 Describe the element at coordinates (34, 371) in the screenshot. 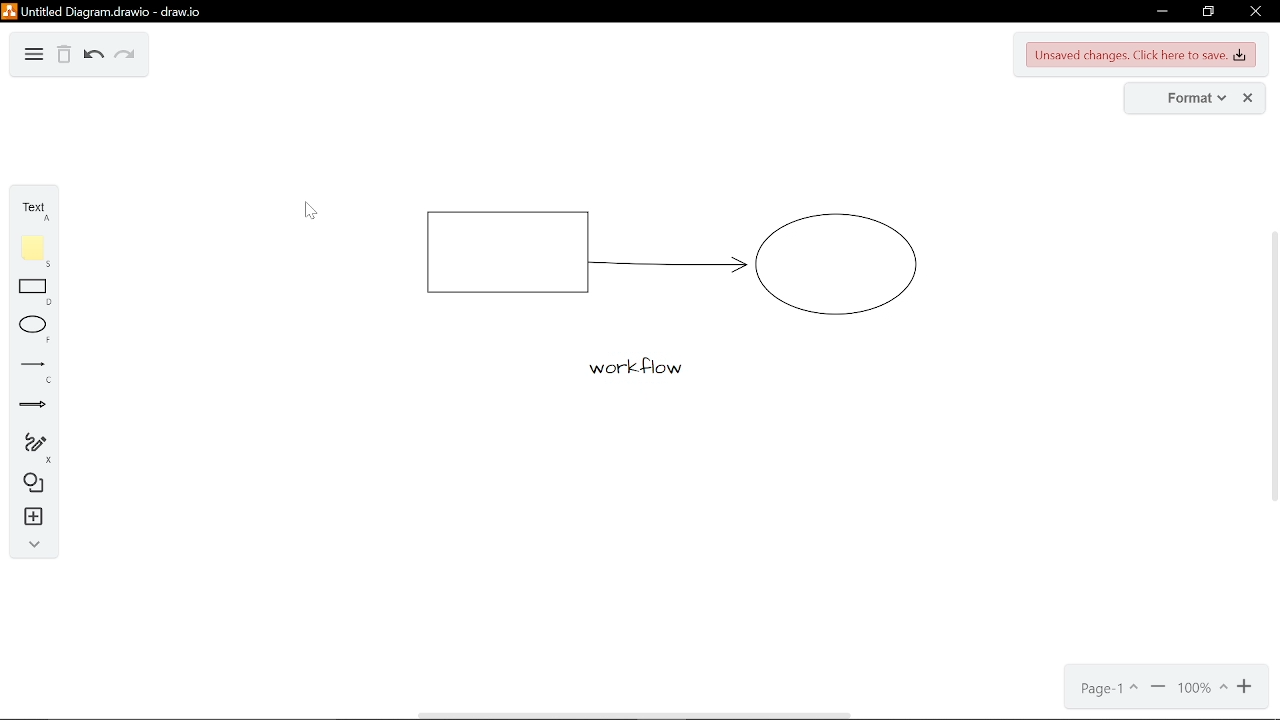

I see `lines` at that location.